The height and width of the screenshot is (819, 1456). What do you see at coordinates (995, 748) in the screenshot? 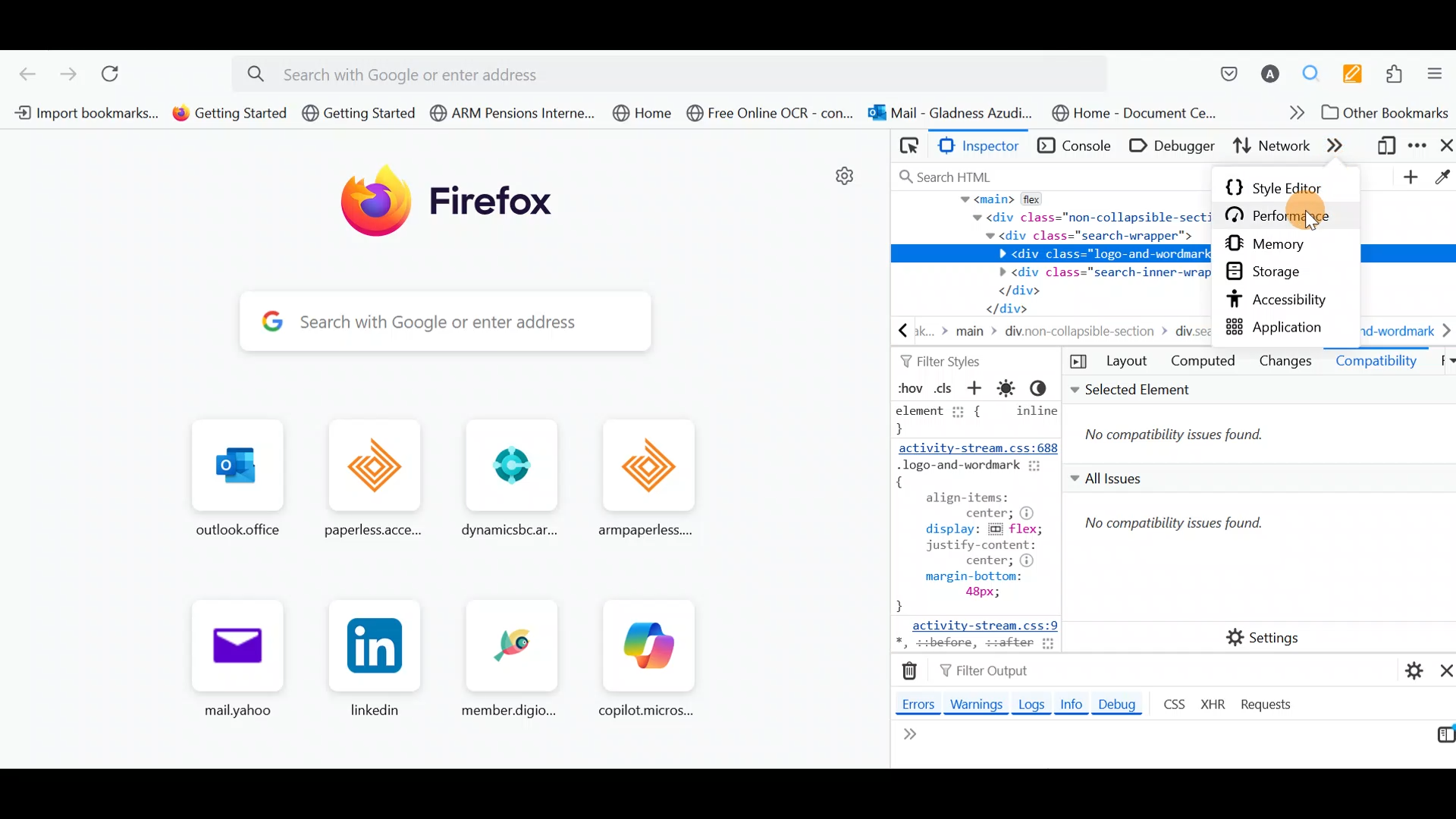
I see `Line editor` at bounding box center [995, 748].